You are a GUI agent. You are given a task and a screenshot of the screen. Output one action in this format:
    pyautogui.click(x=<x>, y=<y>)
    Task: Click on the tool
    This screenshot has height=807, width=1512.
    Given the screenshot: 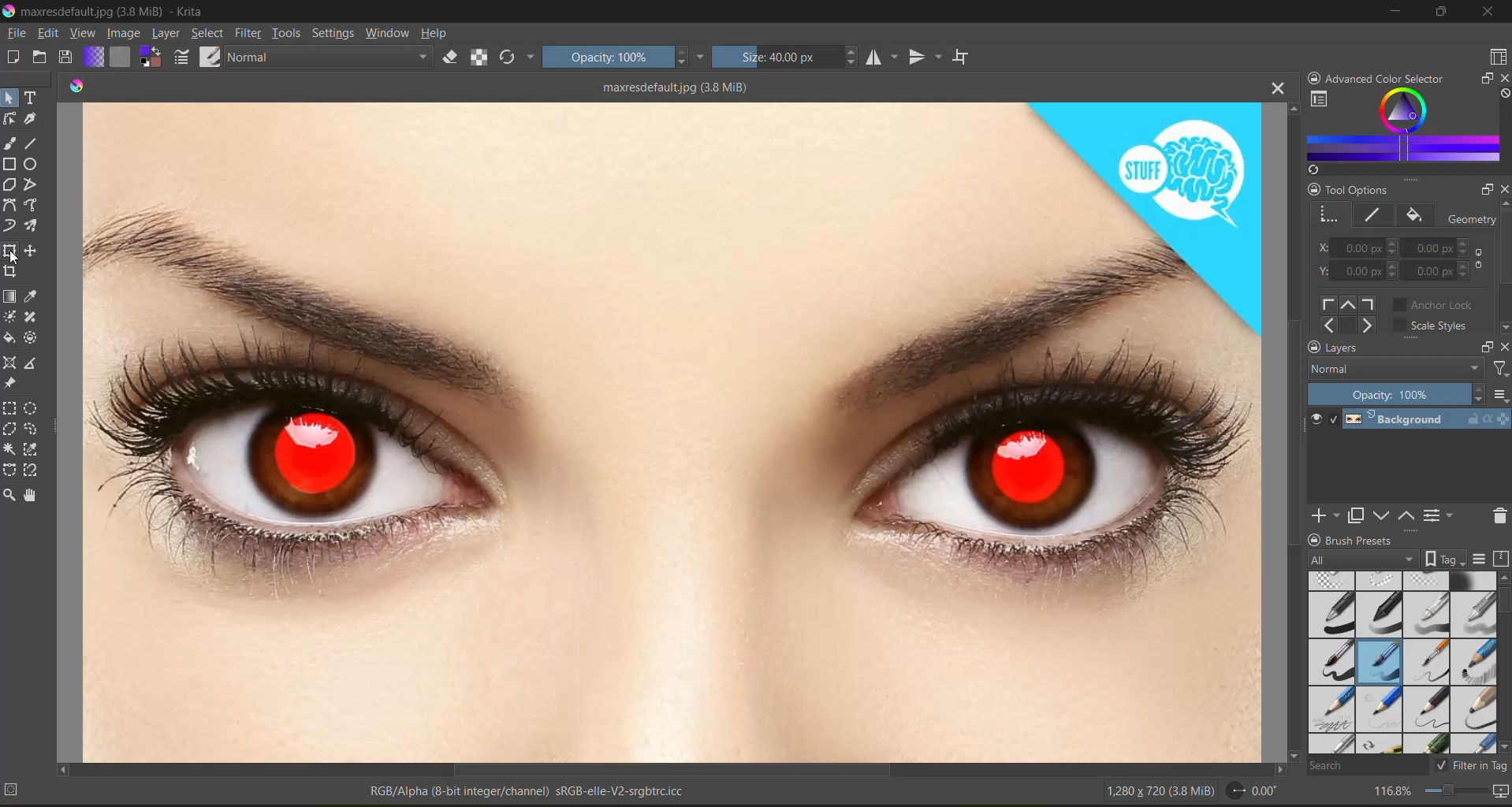 What is the action you would take?
    pyautogui.click(x=32, y=119)
    